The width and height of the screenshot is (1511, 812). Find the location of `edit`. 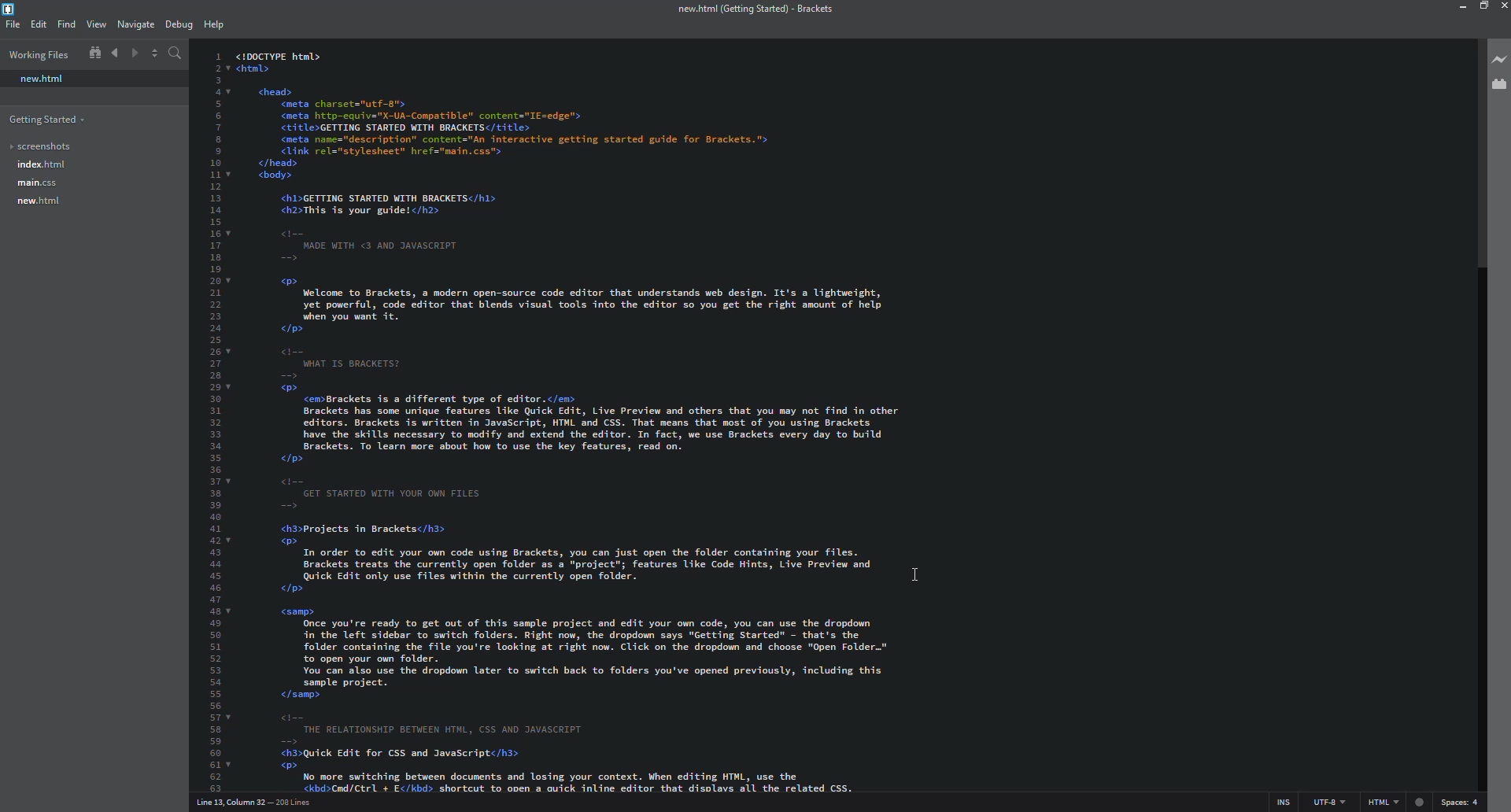

edit is located at coordinates (38, 24).